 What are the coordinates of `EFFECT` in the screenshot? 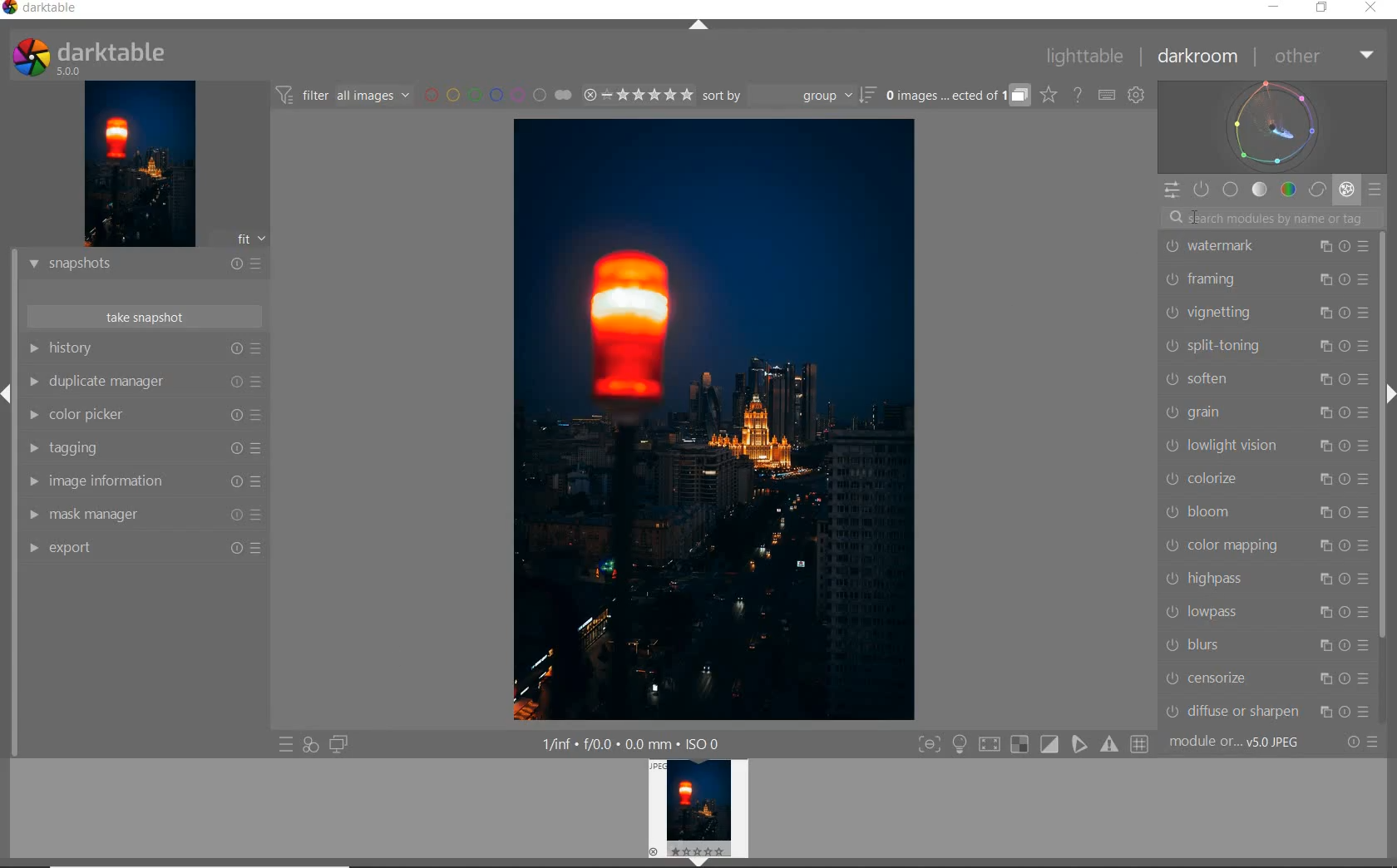 It's located at (1346, 189).